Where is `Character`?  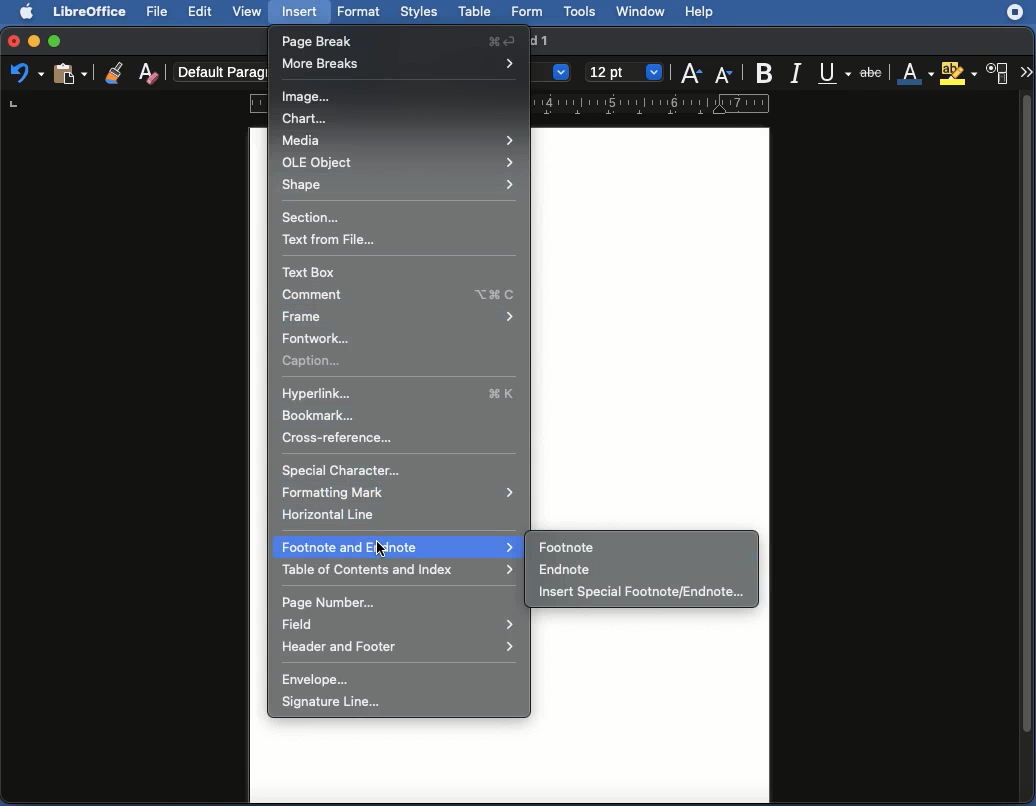 Character is located at coordinates (997, 74).